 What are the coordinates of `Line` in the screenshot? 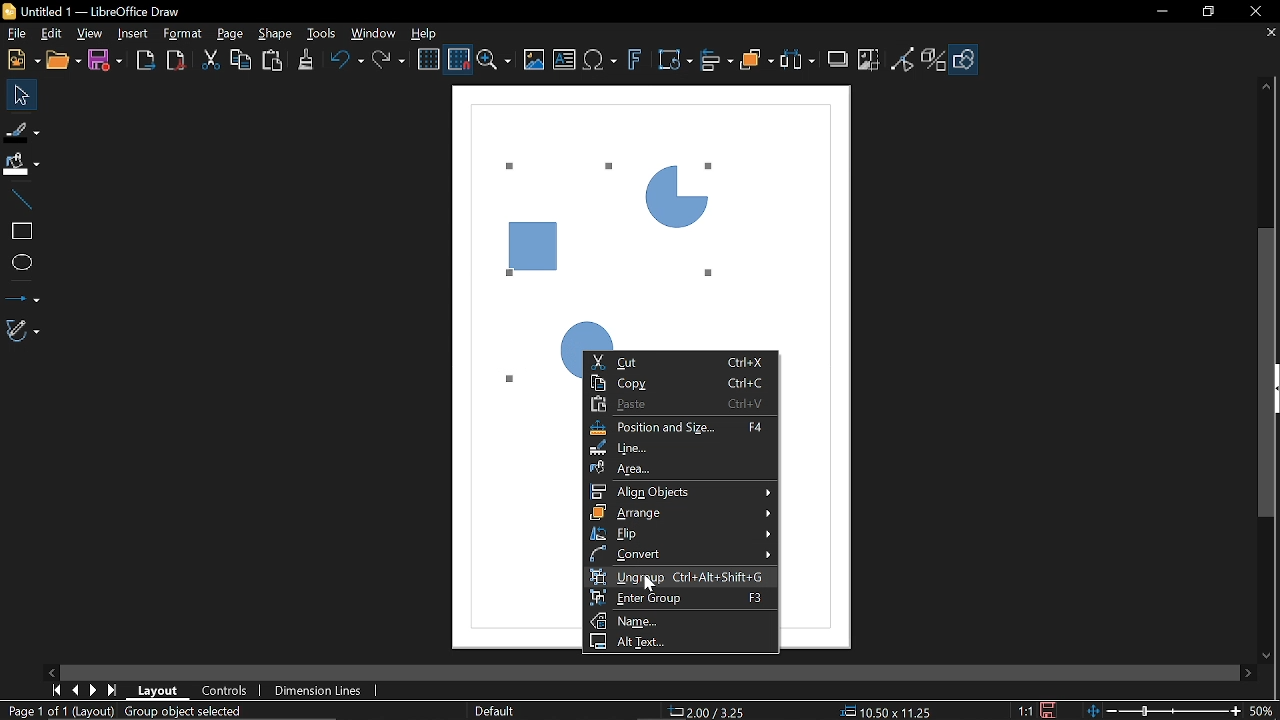 It's located at (18, 195).